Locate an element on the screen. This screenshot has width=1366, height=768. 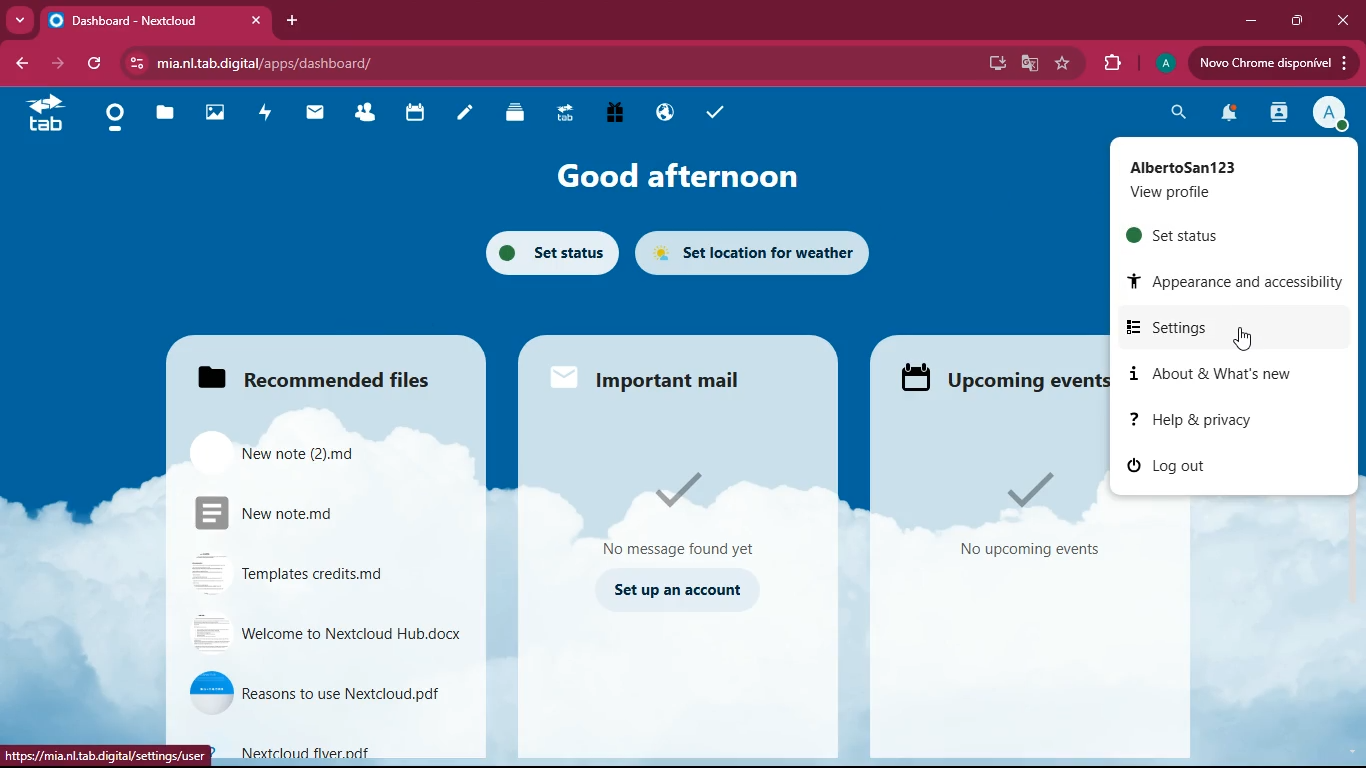
cross is located at coordinates (261, 21).